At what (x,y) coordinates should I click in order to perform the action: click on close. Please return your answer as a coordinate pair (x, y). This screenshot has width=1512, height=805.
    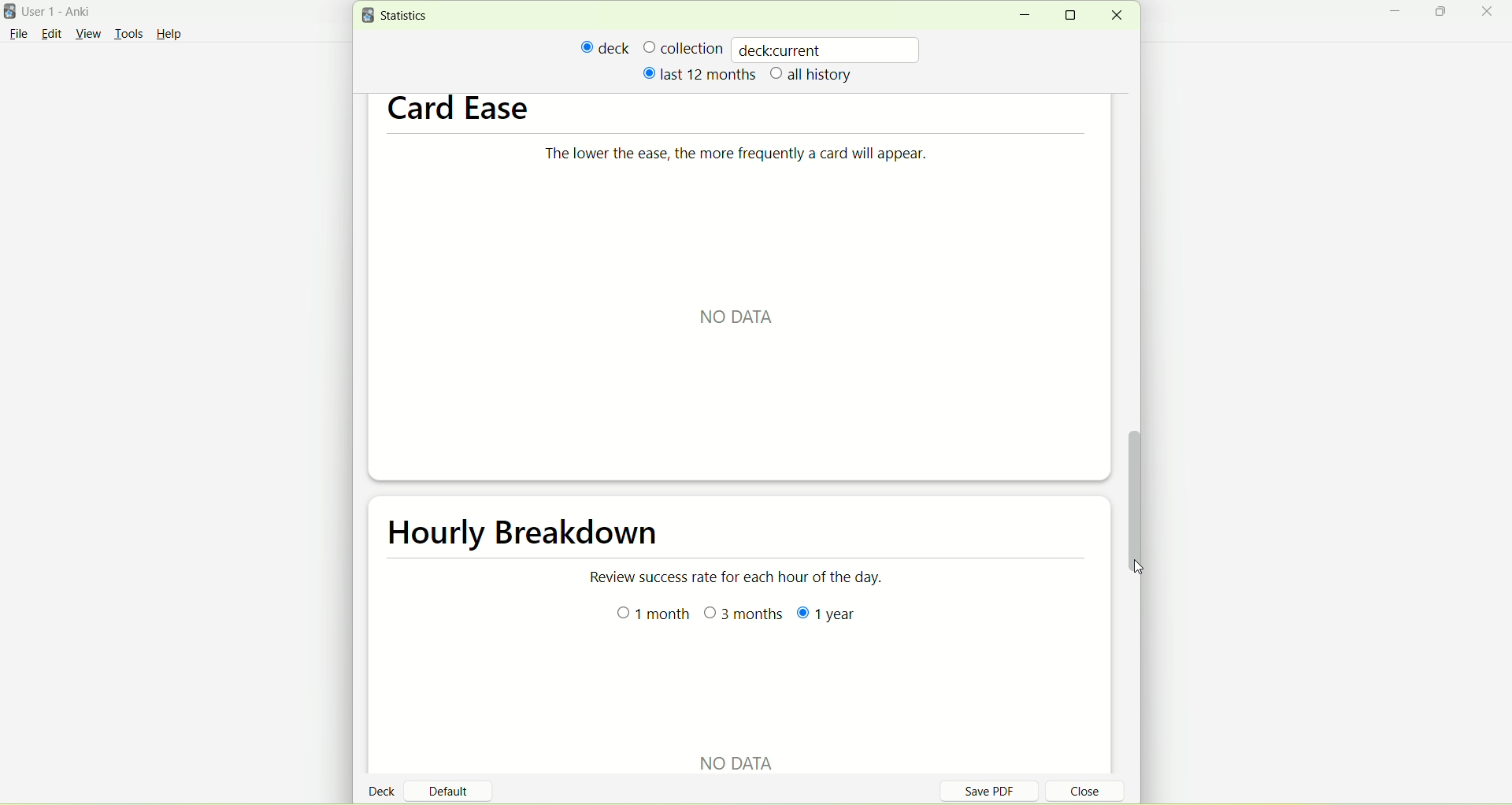
    Looking at the image, I should click on (1490, 13).